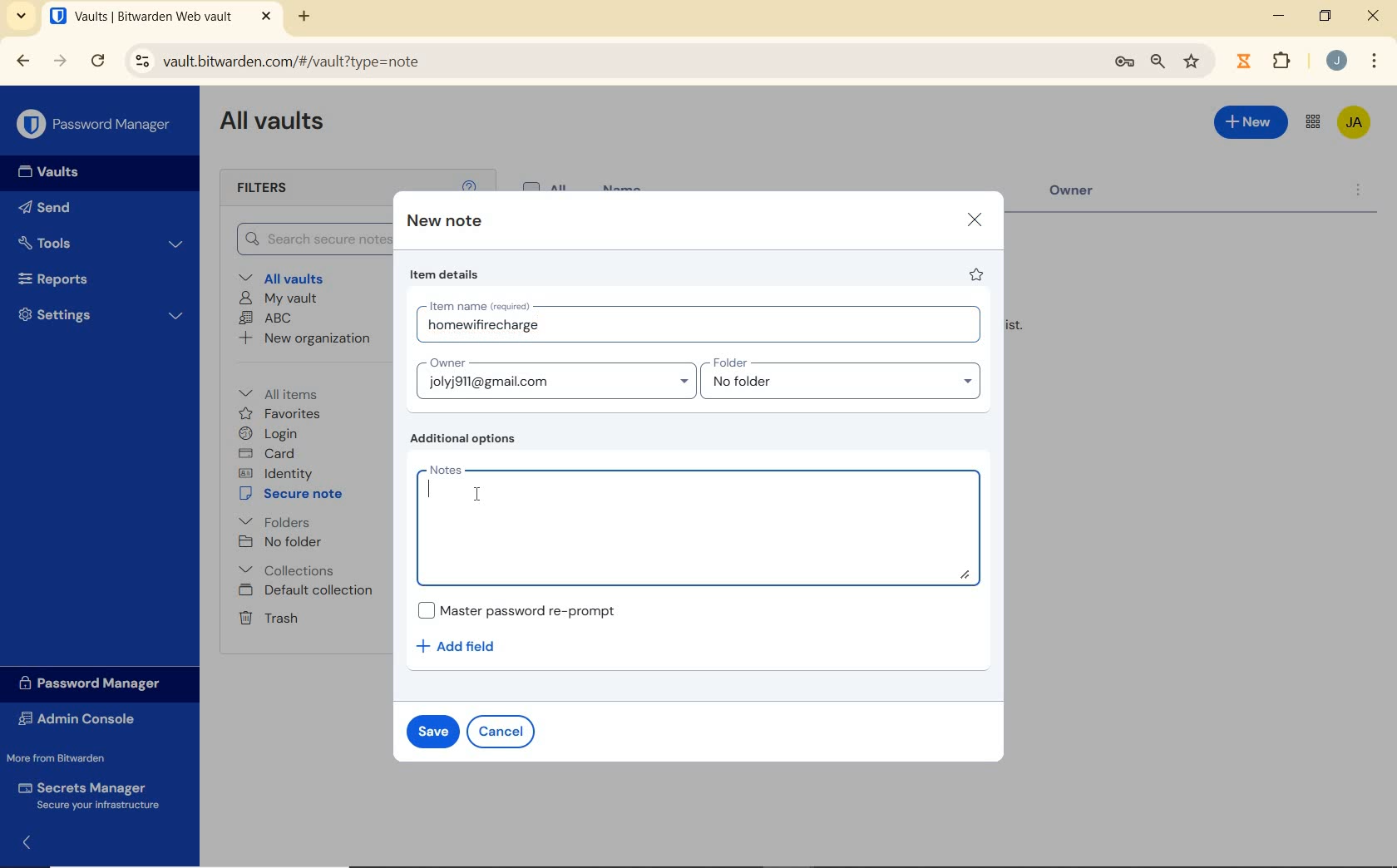 The width and height of the screenshot is (1397, 868). I want to click on More from Bitwarden, so click(67, 757).